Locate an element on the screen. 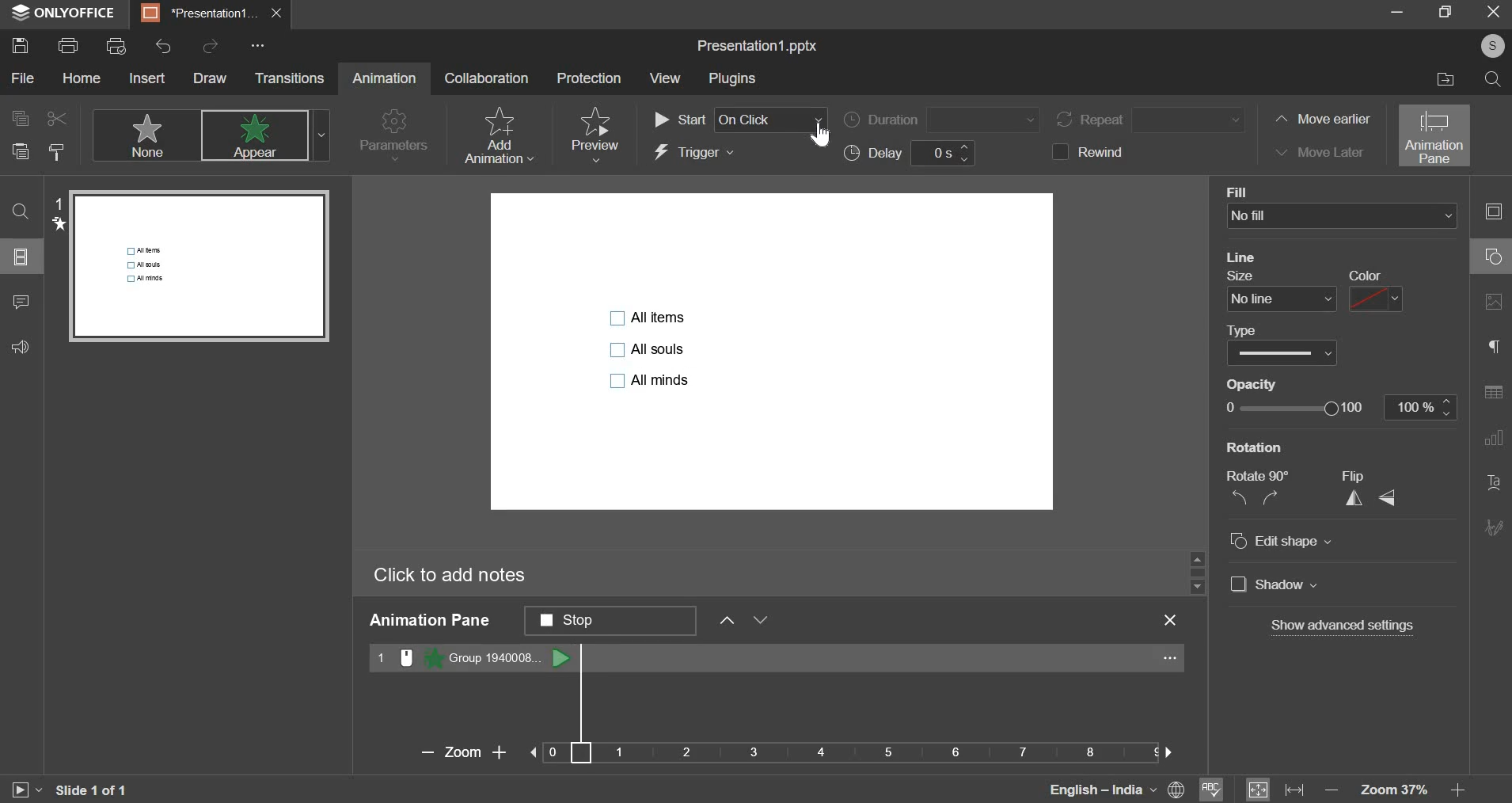 Image resolution: width=1512 pixels, height=803 pixels. language is located at coordinates (1084, 788).